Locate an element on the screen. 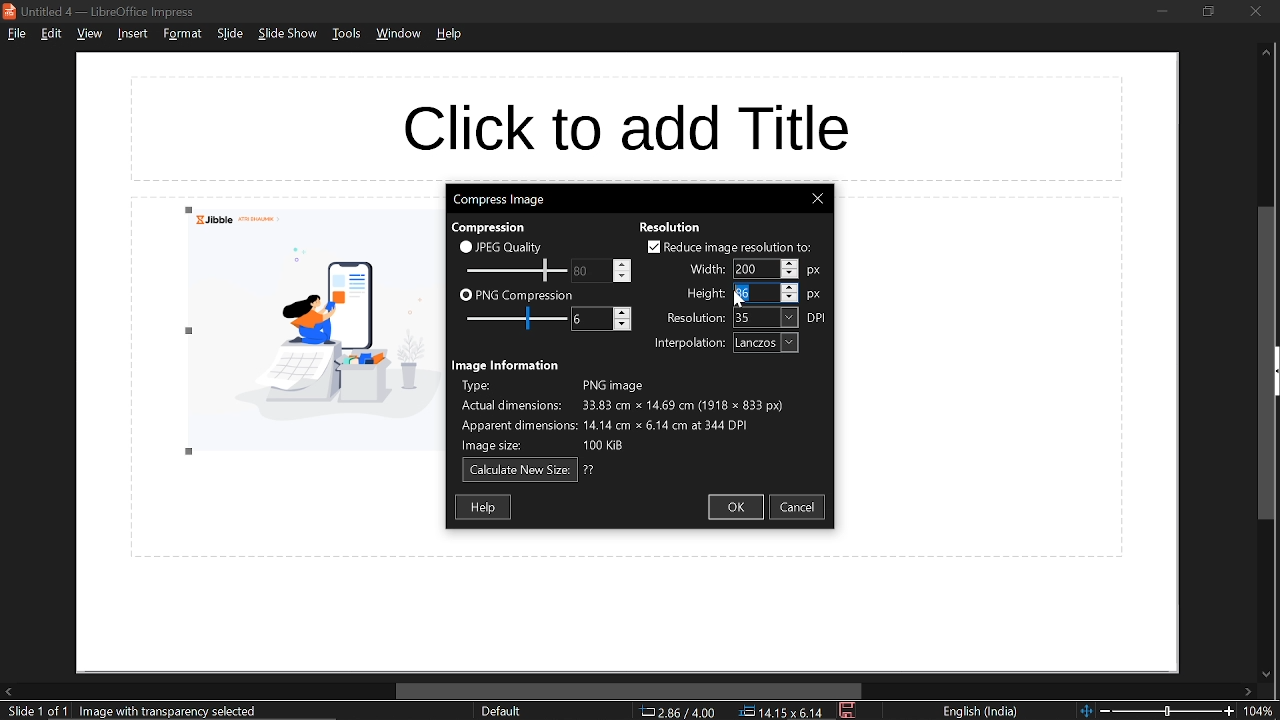 Image resolution: width=1280 pixels, height=720 pixels. close is located at coordinates (1255, 11).